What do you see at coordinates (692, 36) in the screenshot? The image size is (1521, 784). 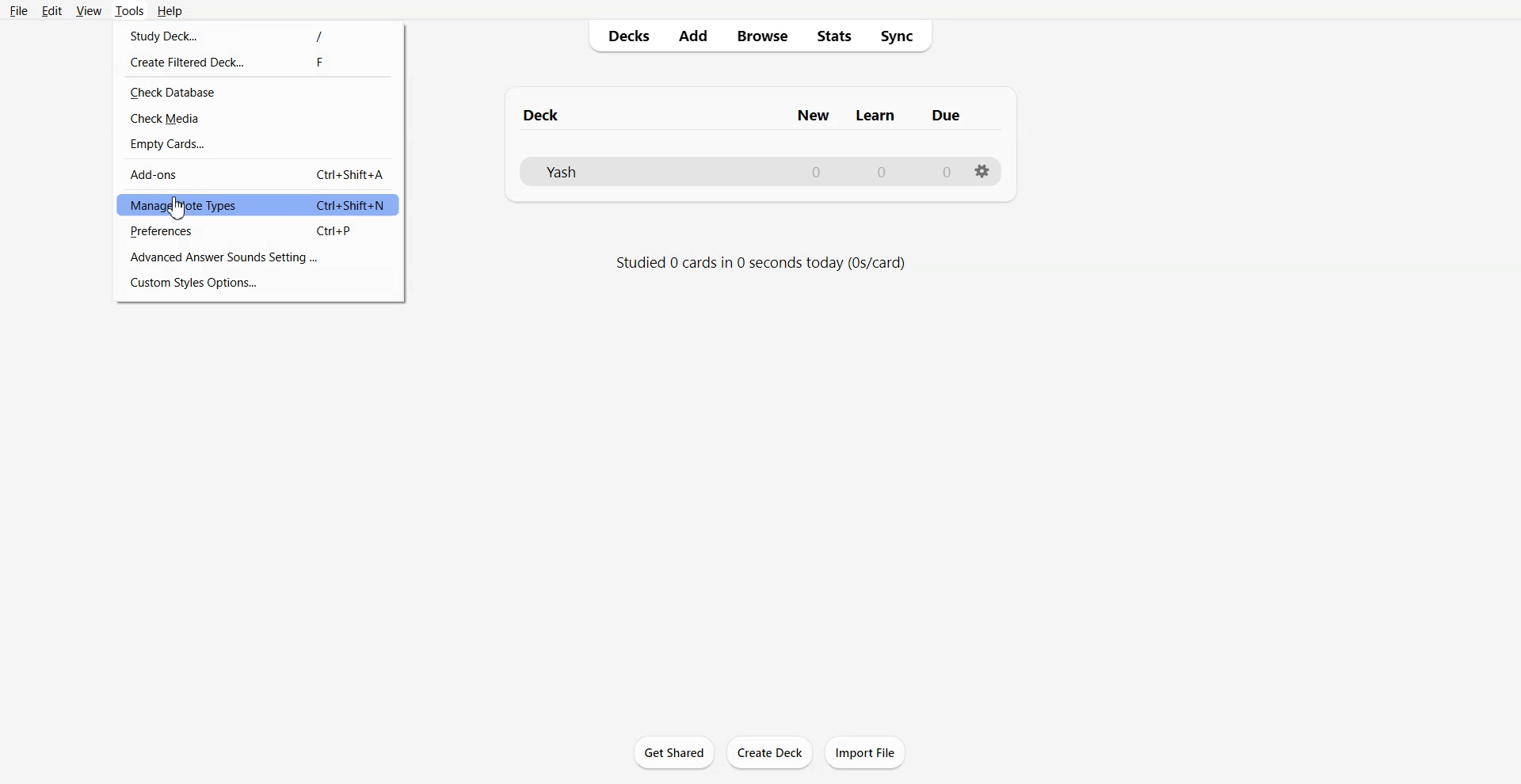 I see `Add` at bounding box center [692, 36].